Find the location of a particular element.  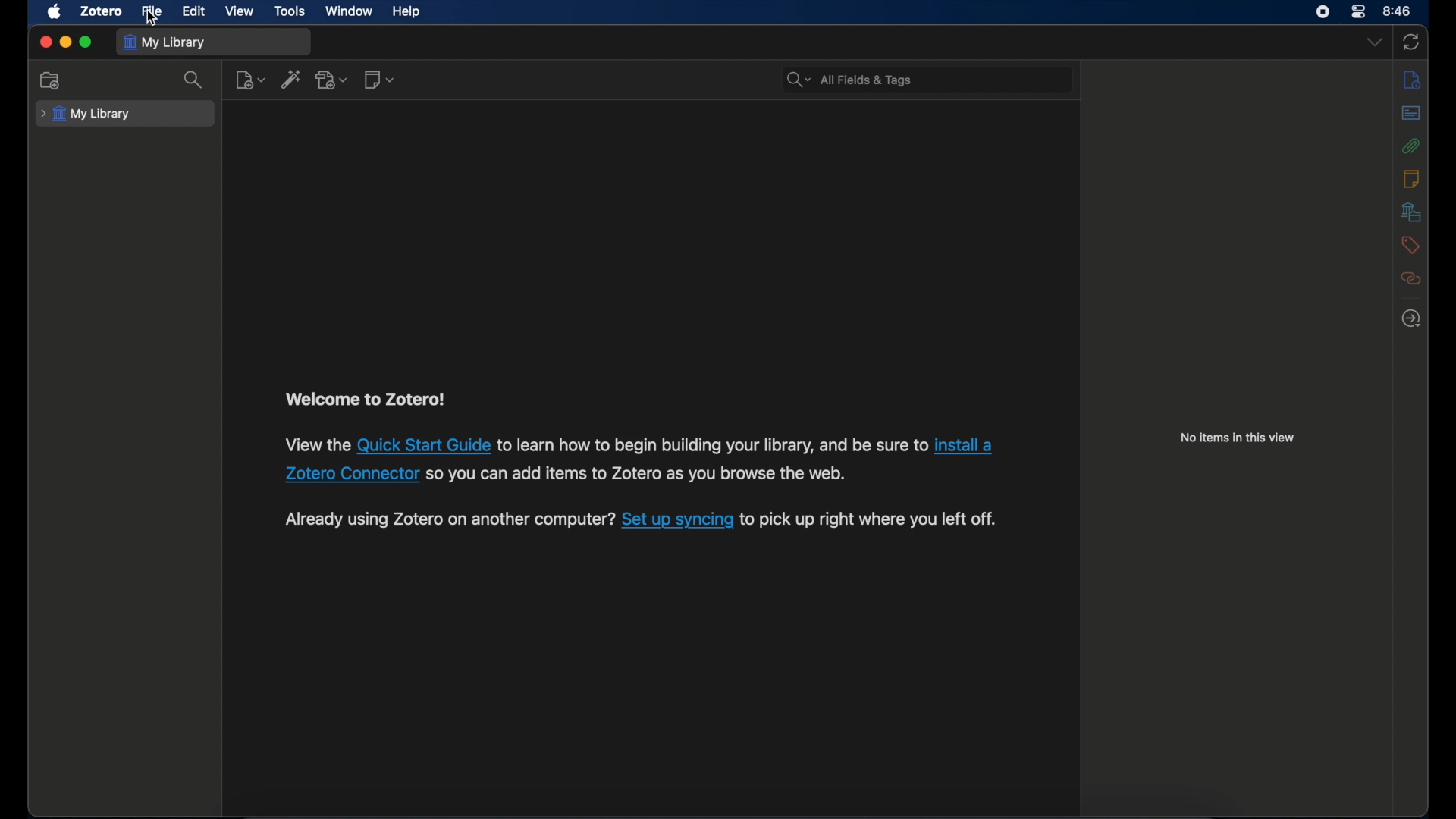

sync link is located at coordinates (676, 523).